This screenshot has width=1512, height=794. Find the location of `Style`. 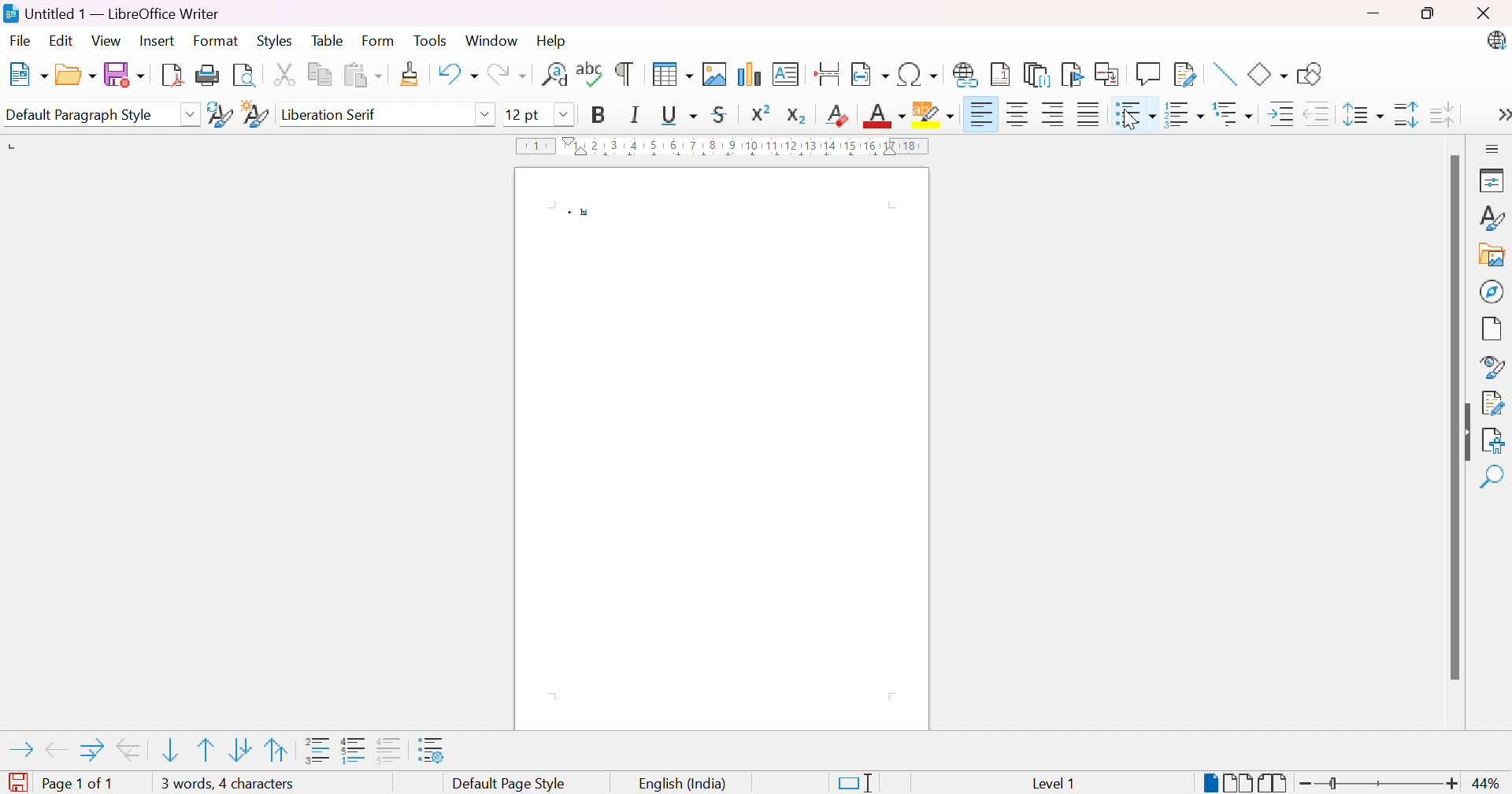

Style is located at coordinates (1493, 218).